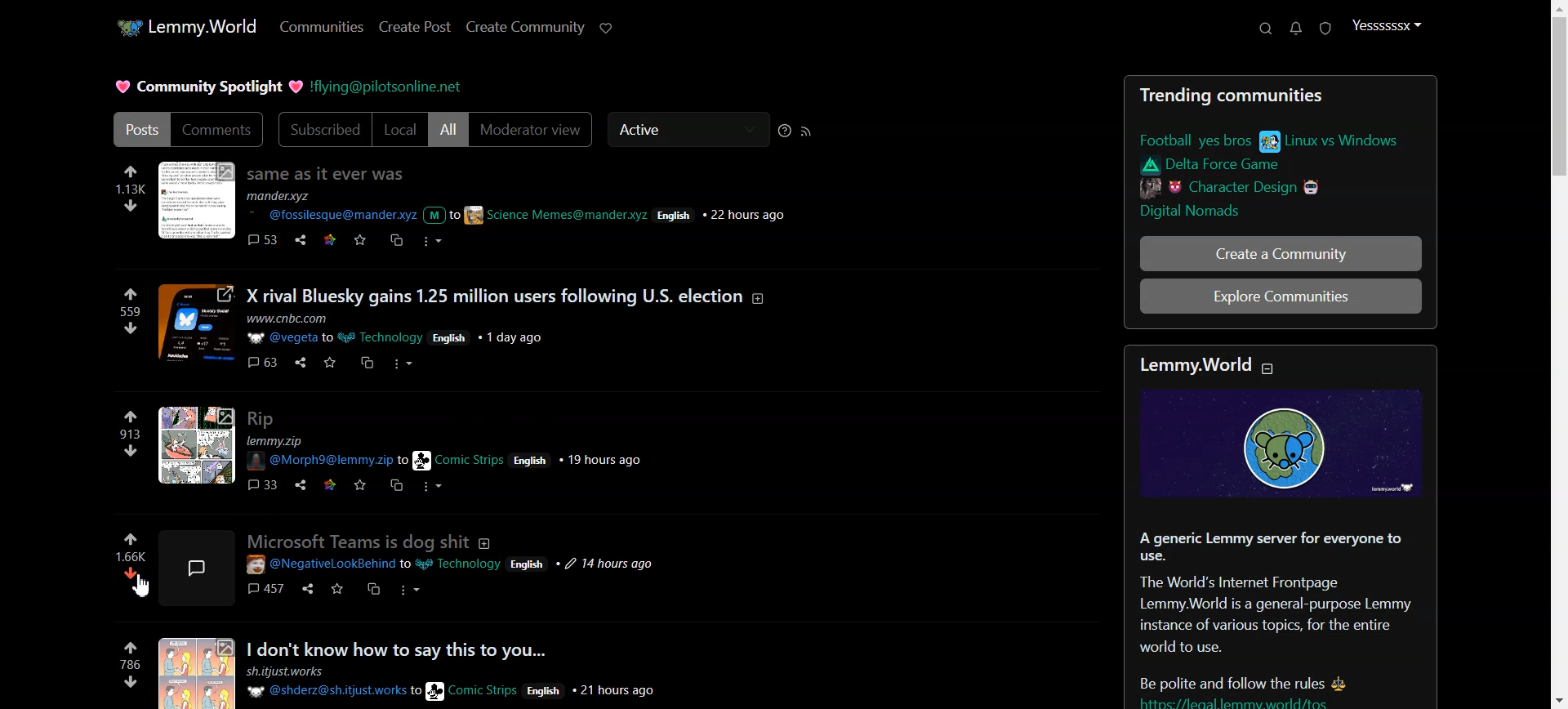 The width and height of the screenshot is (1568, 709). Describe the element at coordinates (265, 588) in the screenshot. I see `Comment` at that location.